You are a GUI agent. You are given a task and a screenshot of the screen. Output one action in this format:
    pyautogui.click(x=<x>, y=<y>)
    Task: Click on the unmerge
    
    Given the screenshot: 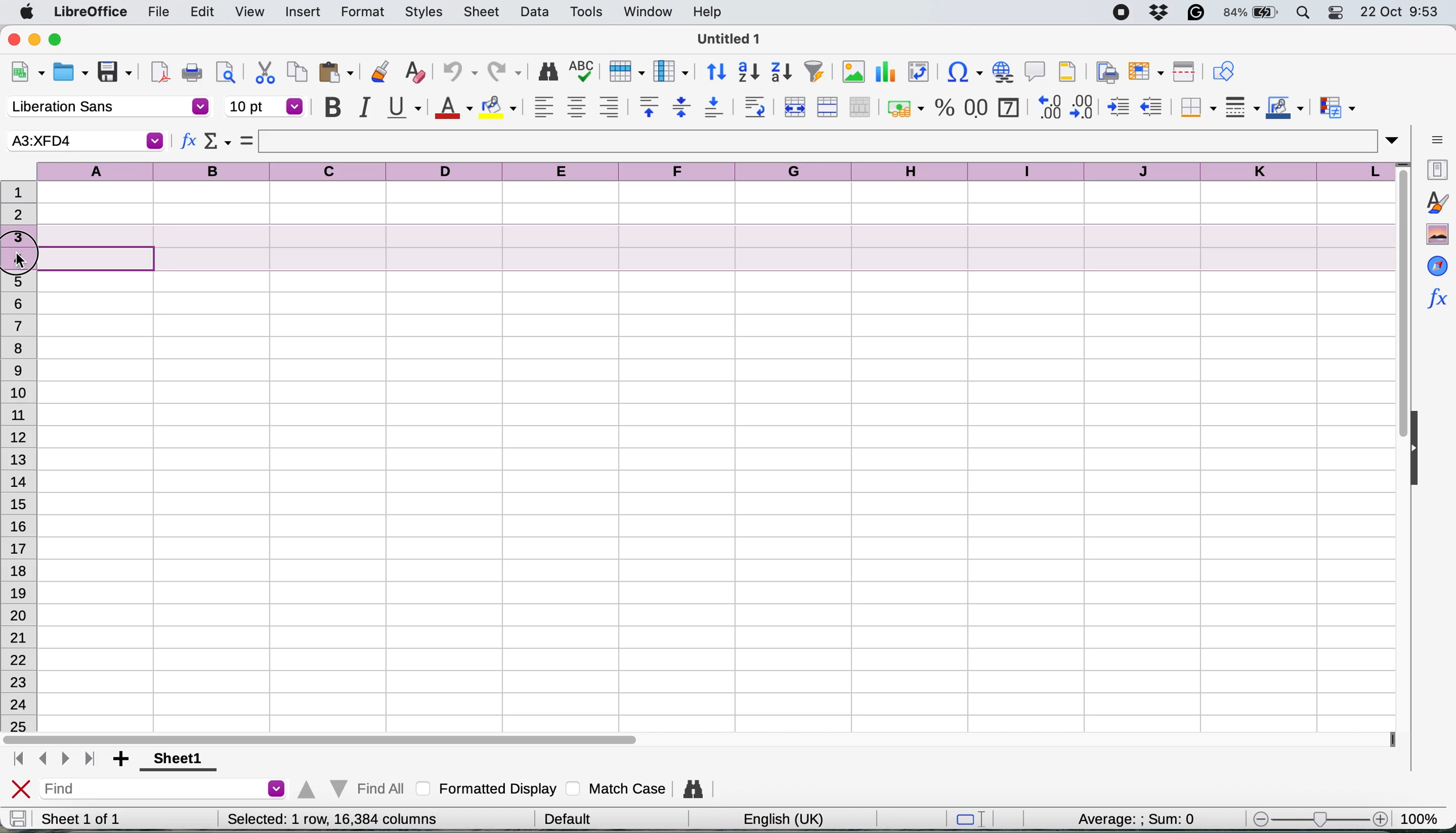 What is the action you would take?
    pyautogui.click(x=860, y=108)
    